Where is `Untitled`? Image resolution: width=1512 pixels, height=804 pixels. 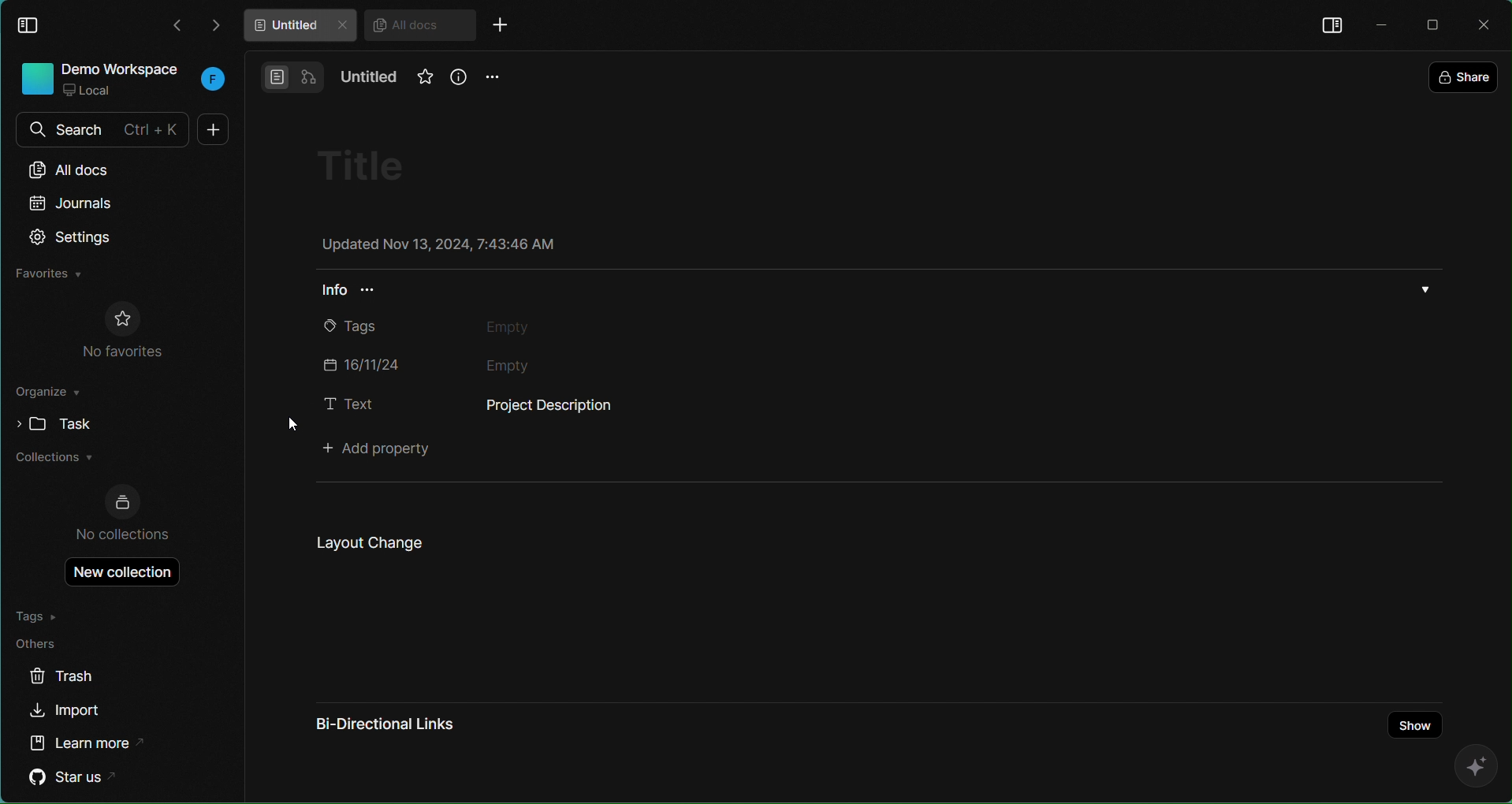 Untitled is located at coordinates (371, 78).